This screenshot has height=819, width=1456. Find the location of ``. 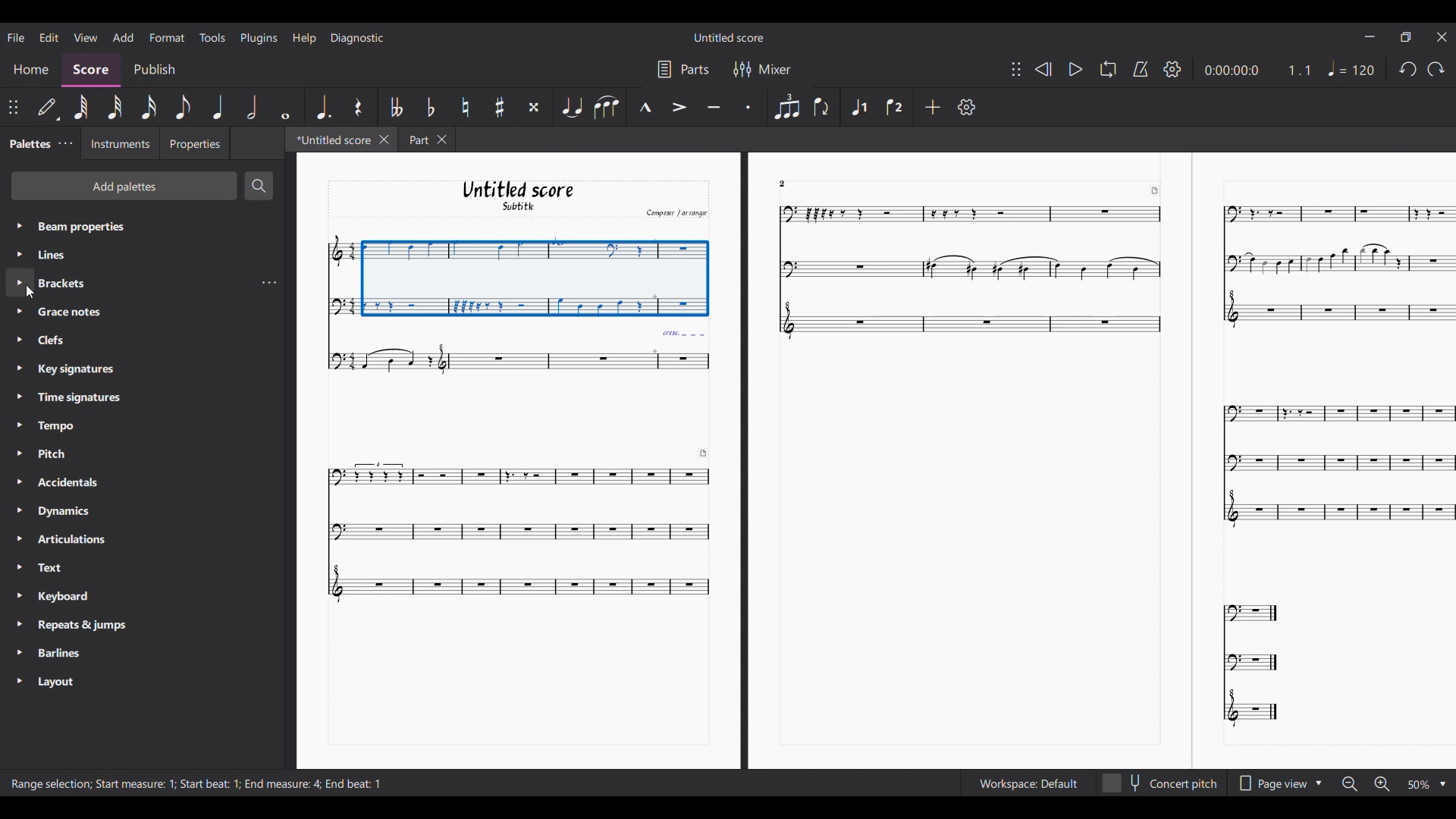

 is located at coordinates (17, 253).